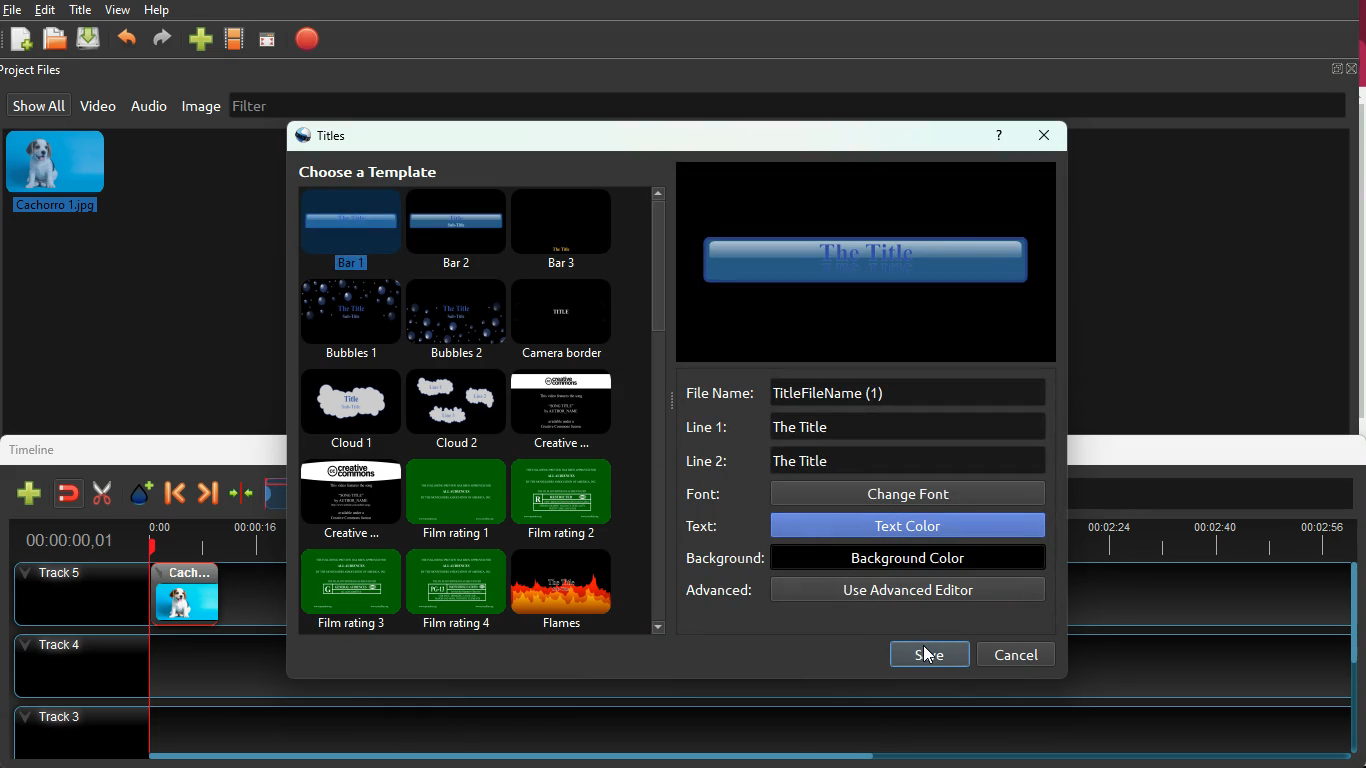 Image resolution: width=1366 pixels, height=768 pixels. What do you see at coordinates (454, 409) in the screenshot?
I see `cloud 2` at bounding box center [454, 409].